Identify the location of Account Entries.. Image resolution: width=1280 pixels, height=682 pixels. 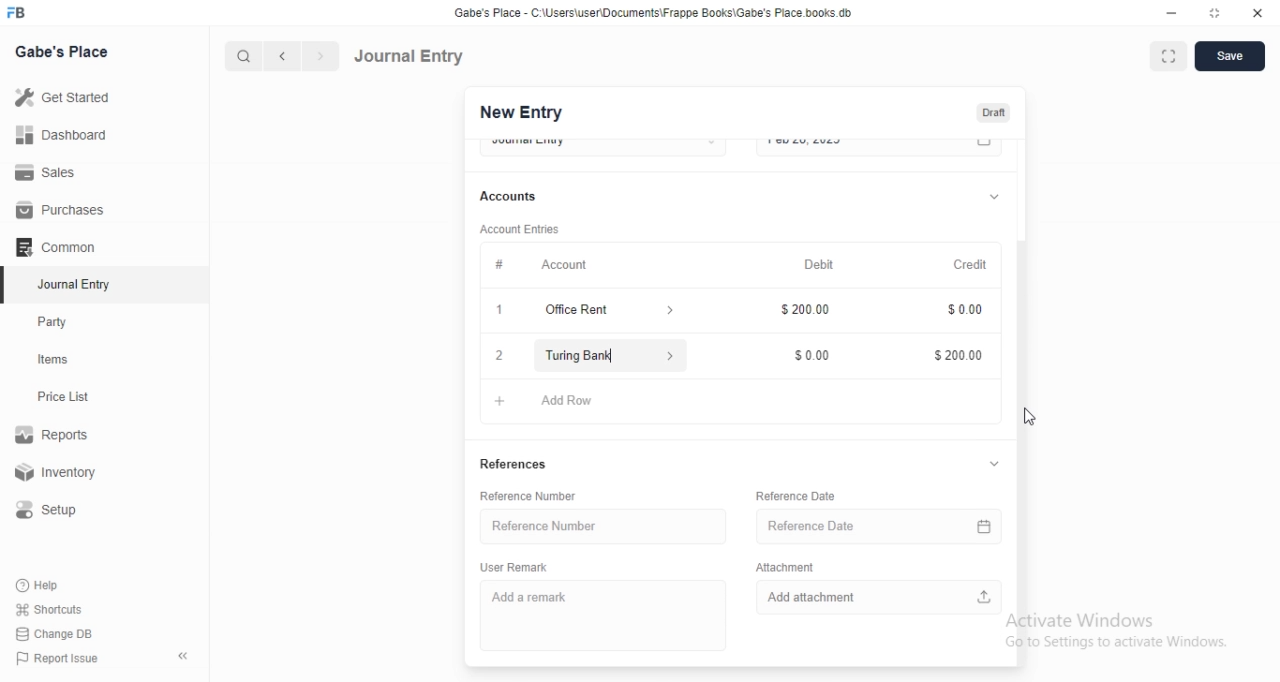
(518, 229).